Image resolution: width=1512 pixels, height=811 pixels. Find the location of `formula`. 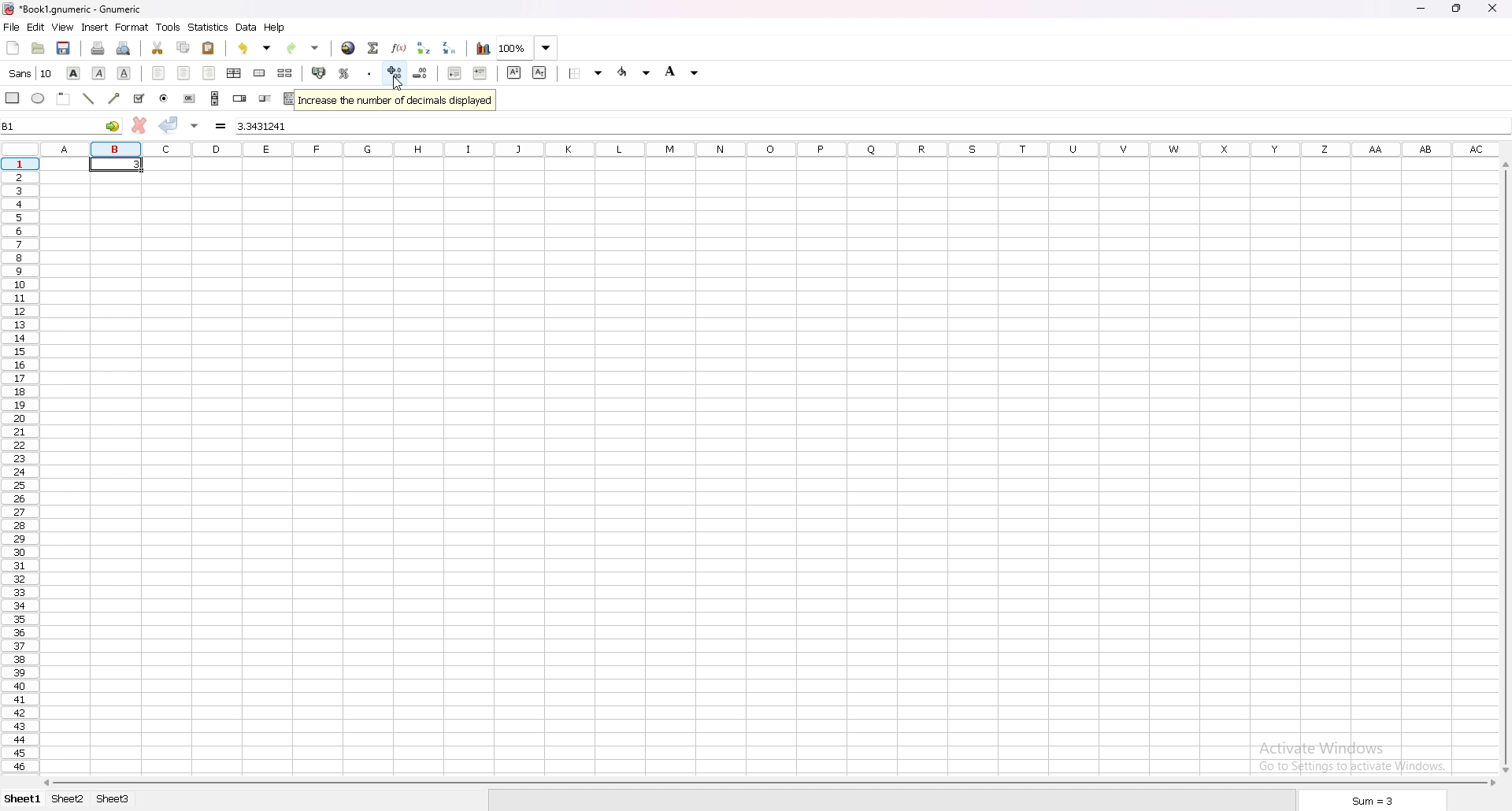

formula is located at coordinates (221, 125).